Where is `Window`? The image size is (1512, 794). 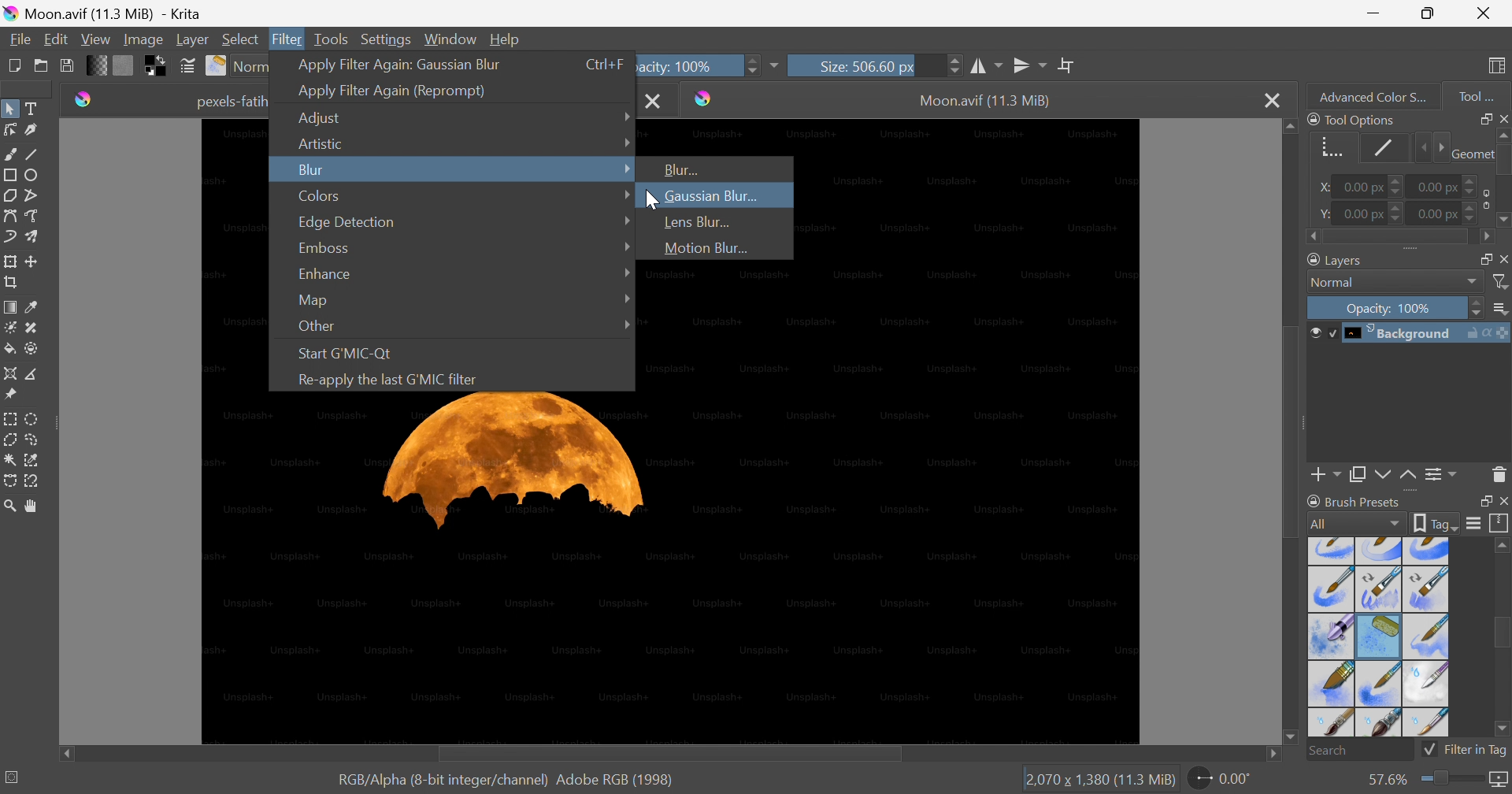 Window is located at coordinates (447, 40).